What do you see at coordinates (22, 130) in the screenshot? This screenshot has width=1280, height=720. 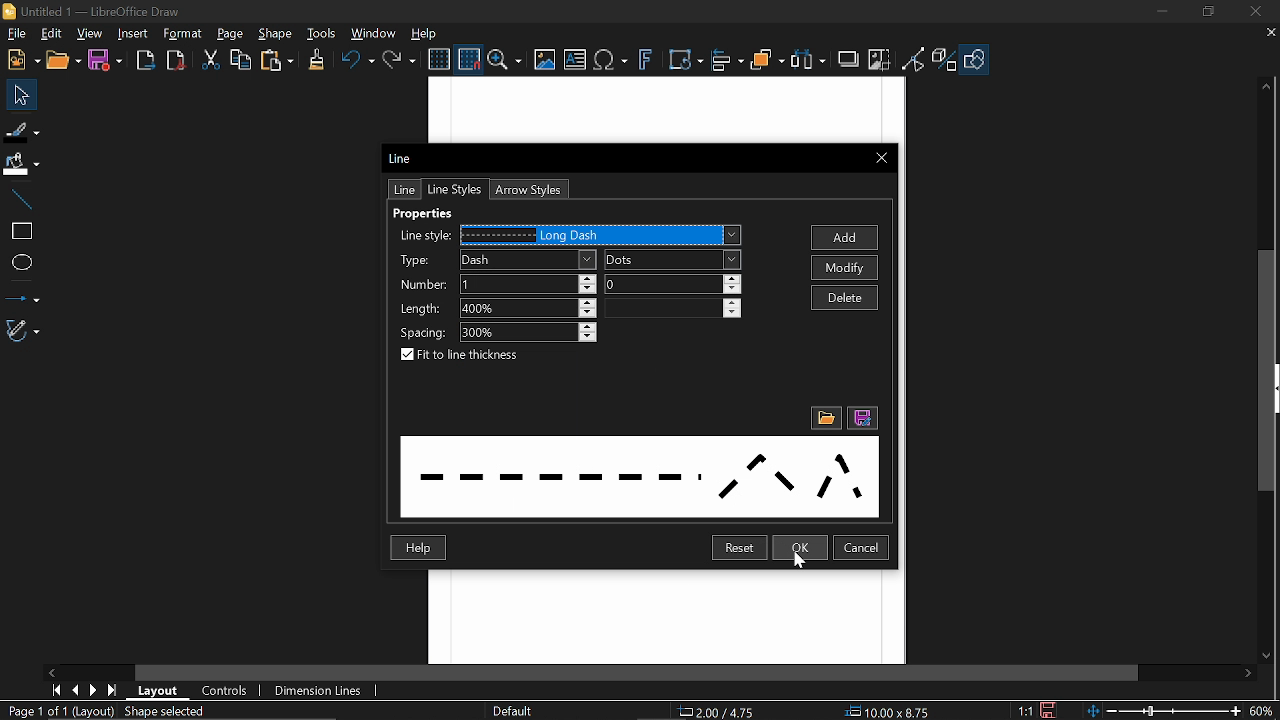 I see `Fill line` at bounding box center [22, 130].